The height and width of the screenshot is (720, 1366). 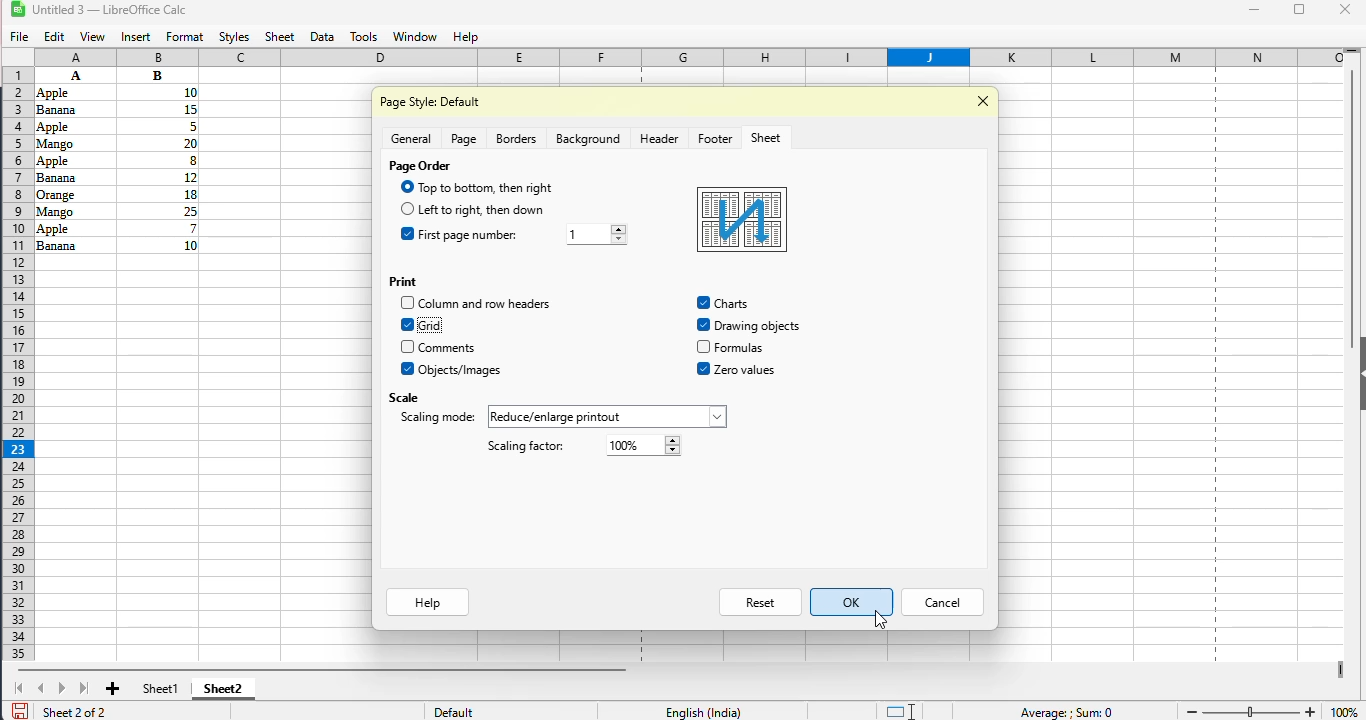 What do you see at coordinates (464, 139) in the screenshot?
I see `page` at bounding box center [464, 139].